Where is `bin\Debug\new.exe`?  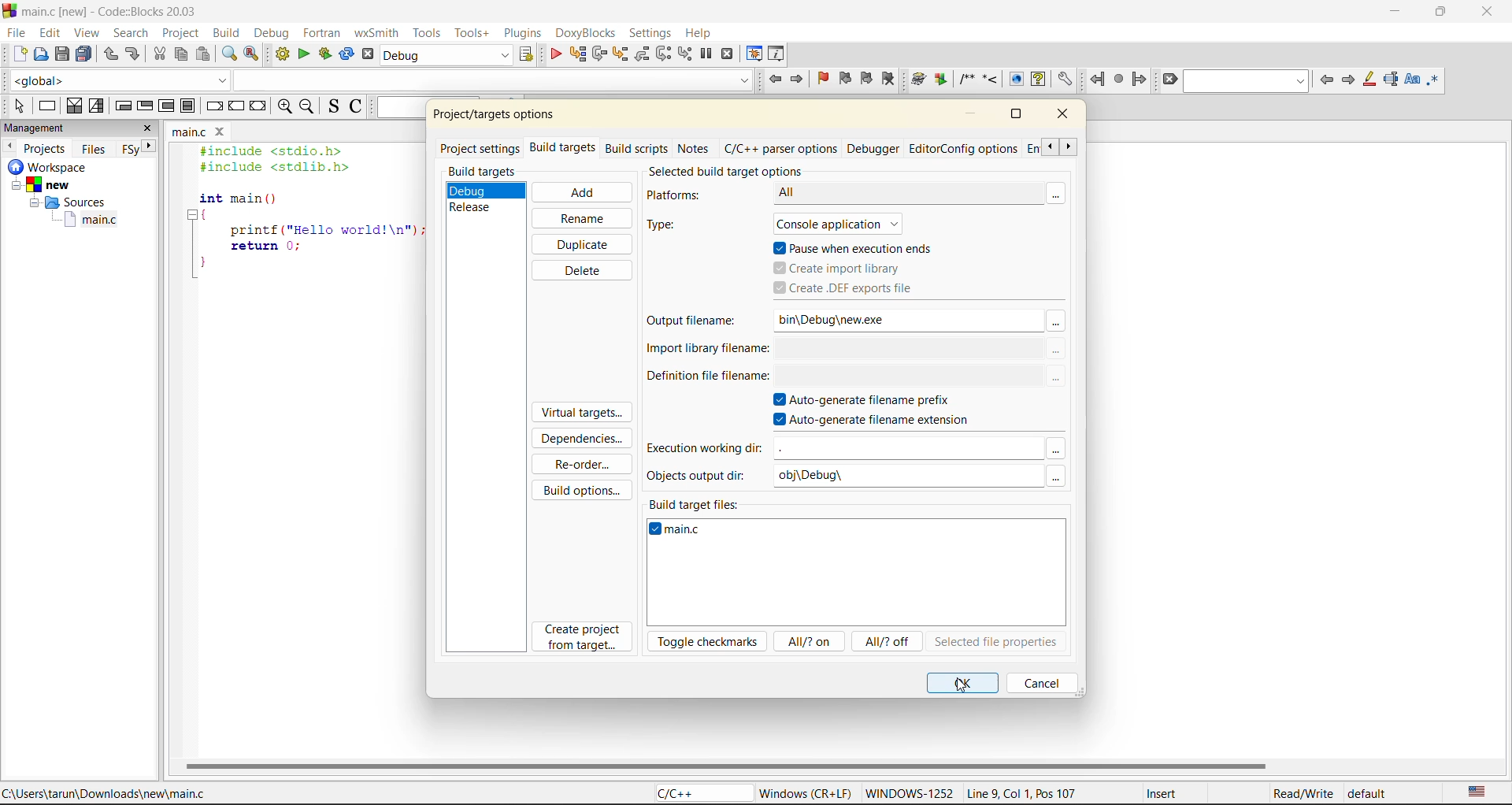
bin\Debug\new.exe is located at coordinates (893, 319).